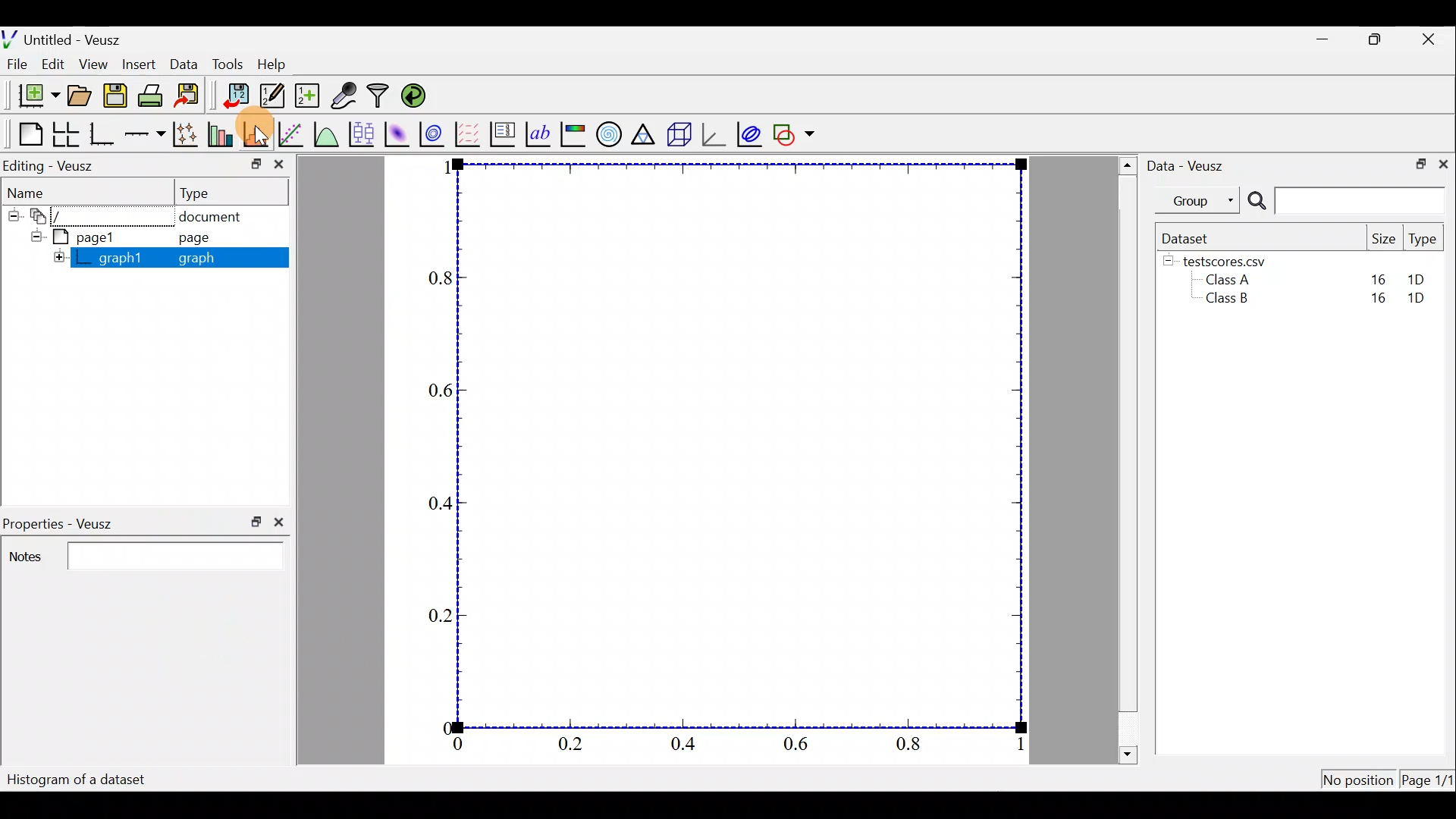 This screenshot has height=819, width=1456. What do you see at coordinates (689, 747) in the screenshot?
I see `0.4` at bounding box center [689, 747].